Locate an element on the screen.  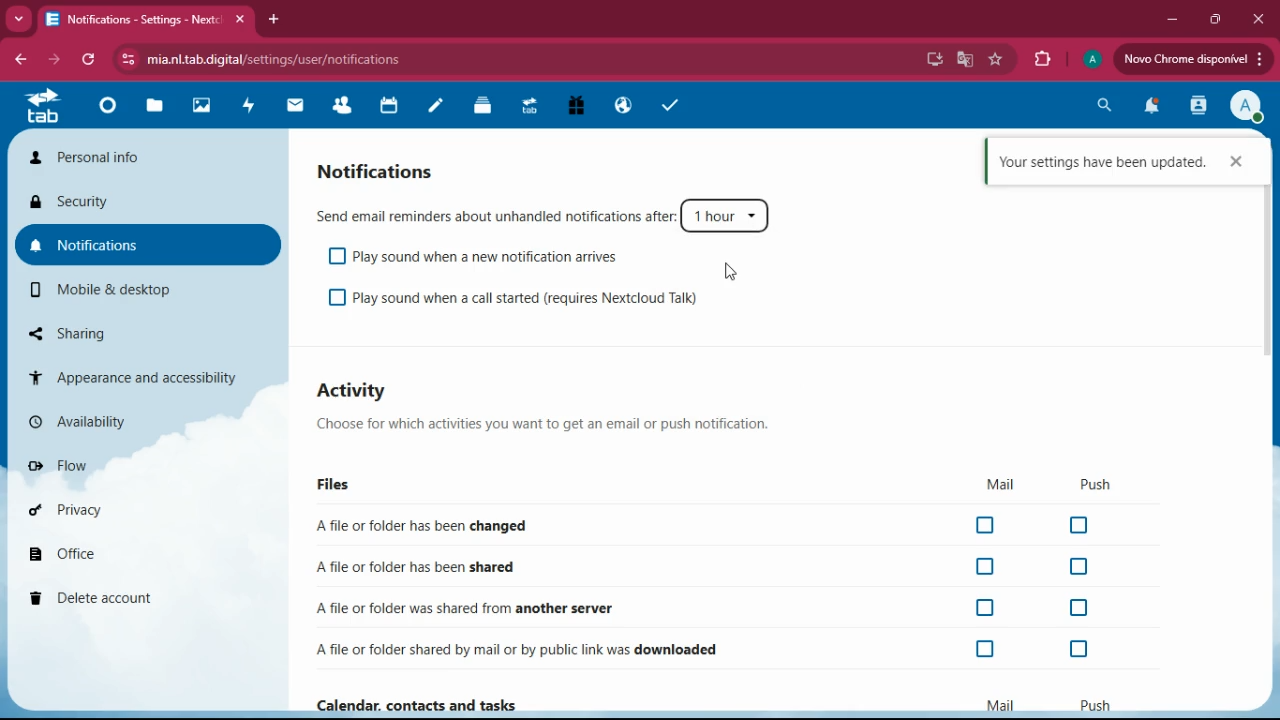
appearance is located at coordinates (137, 375).